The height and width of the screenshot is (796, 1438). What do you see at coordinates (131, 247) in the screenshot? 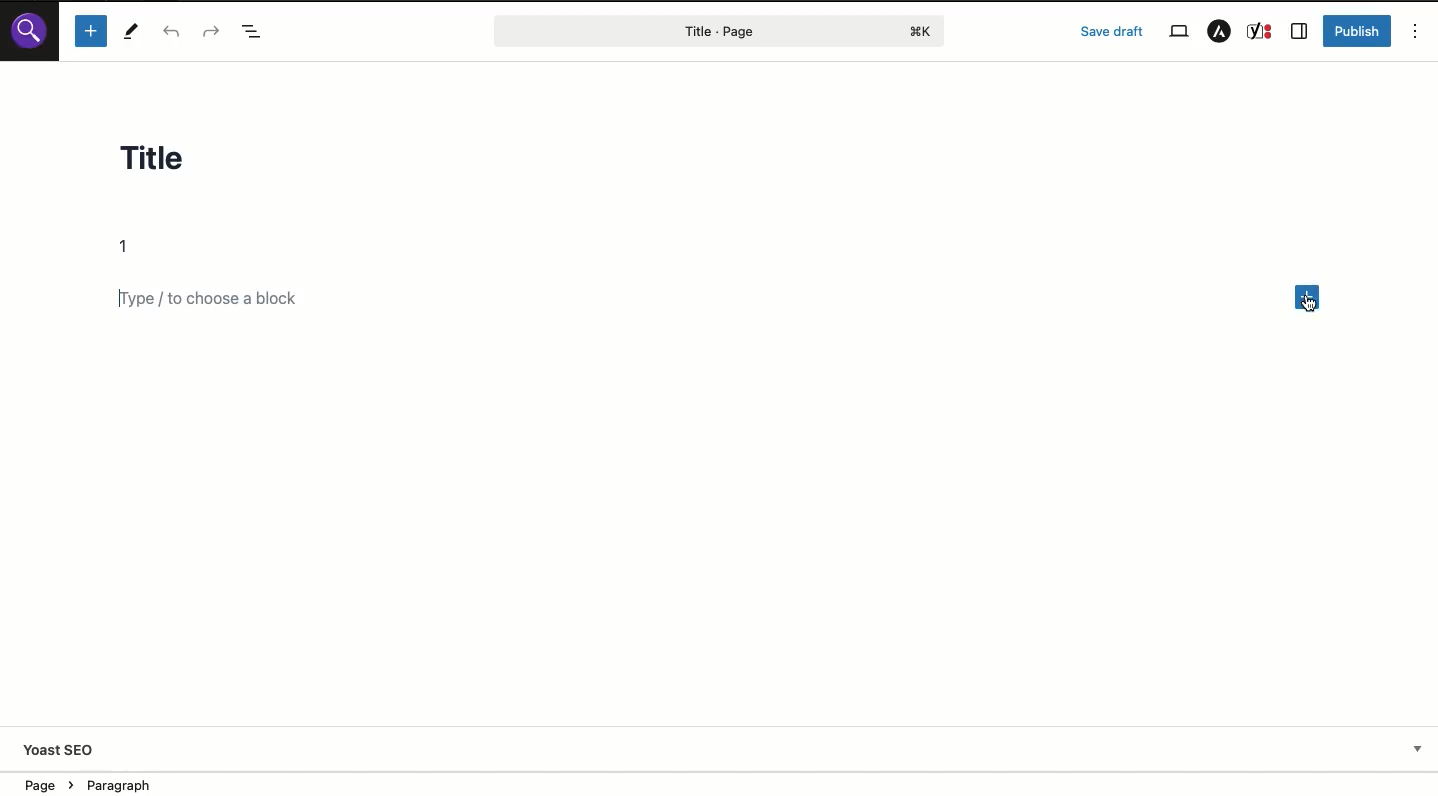
I see `Text` at bounding box center [131, 247].